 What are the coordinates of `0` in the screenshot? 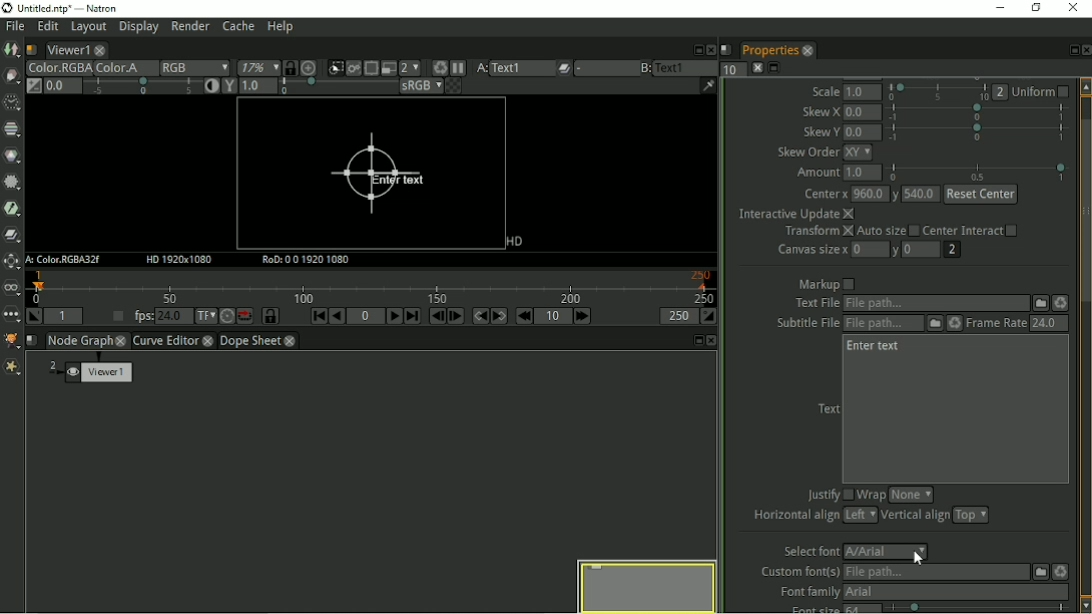 It's located at (871, 250).